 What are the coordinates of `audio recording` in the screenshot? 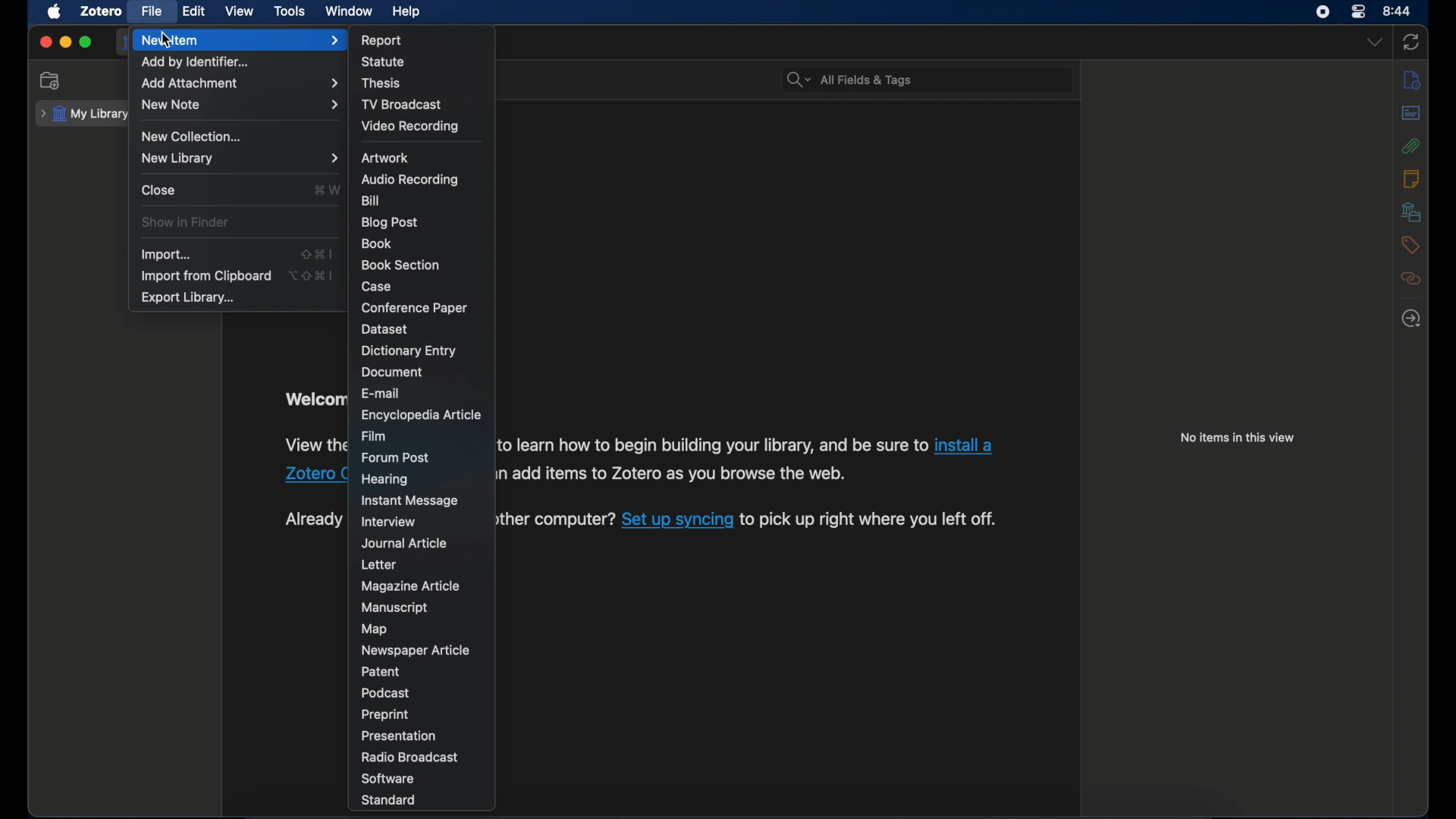 It's located at (410, 180).